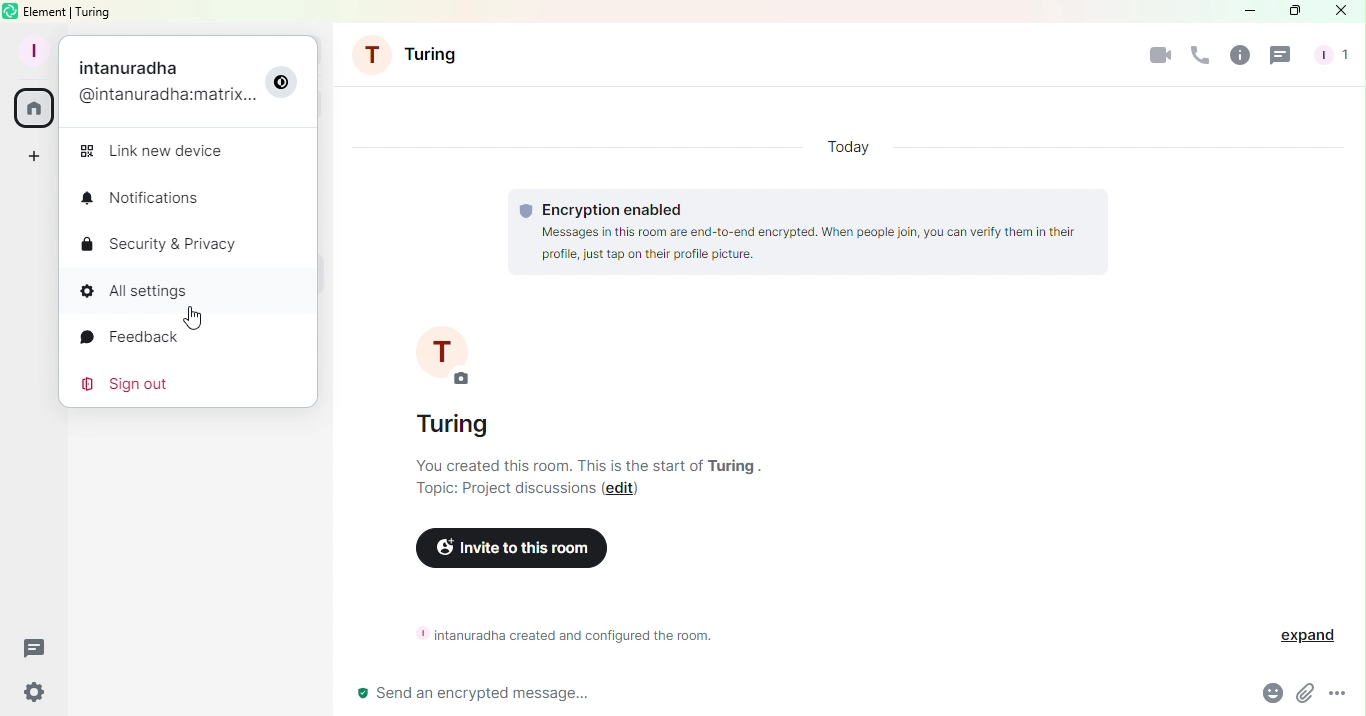 The height and width of the screenshot is (716, 1366). What do you see at coordinates (97, 12) in the screenshot?
I see `turing` at bounding box center [97, 12].